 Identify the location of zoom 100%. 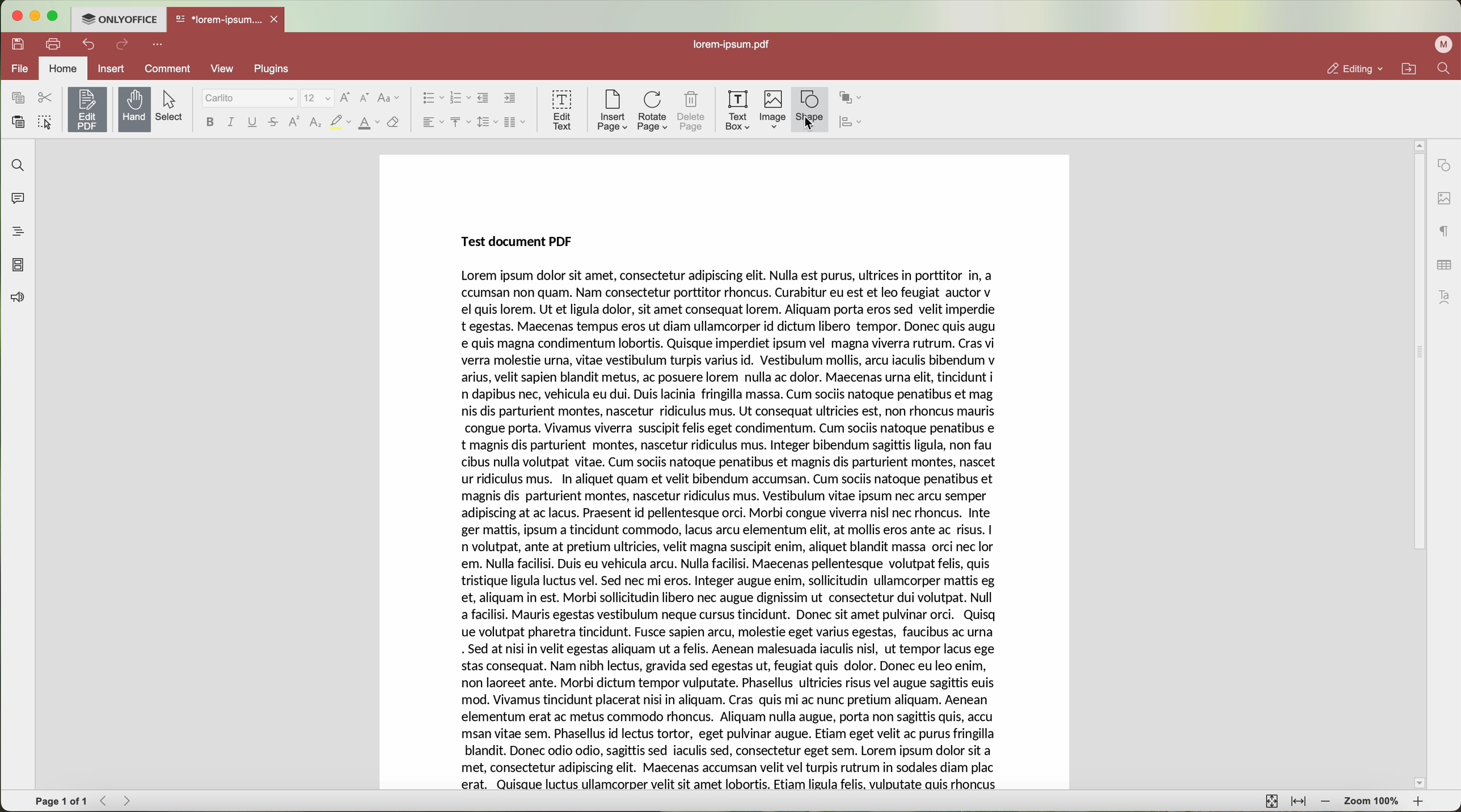
(1371, 802).